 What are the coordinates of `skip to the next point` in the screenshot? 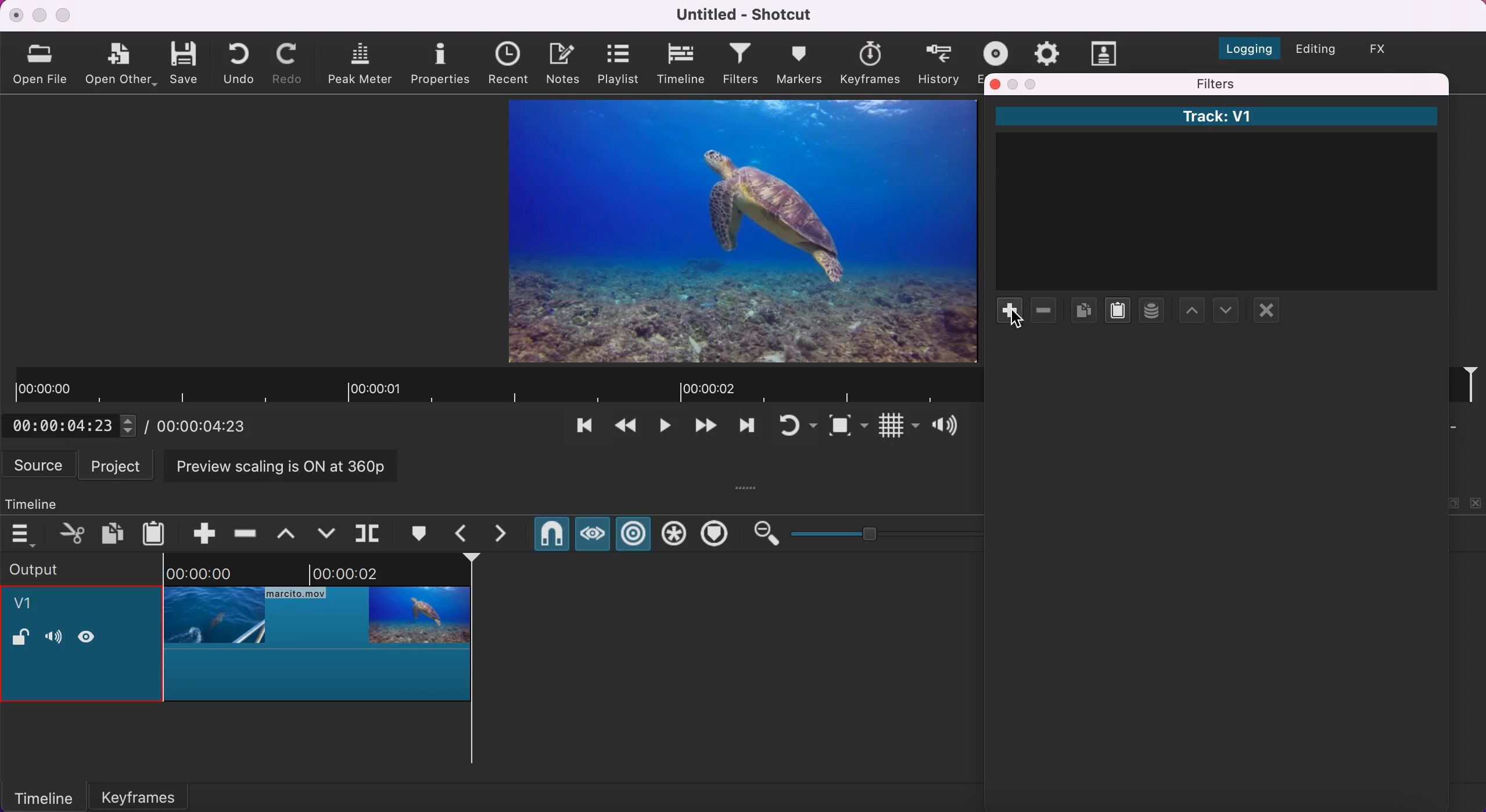 It's located at (704, 429).